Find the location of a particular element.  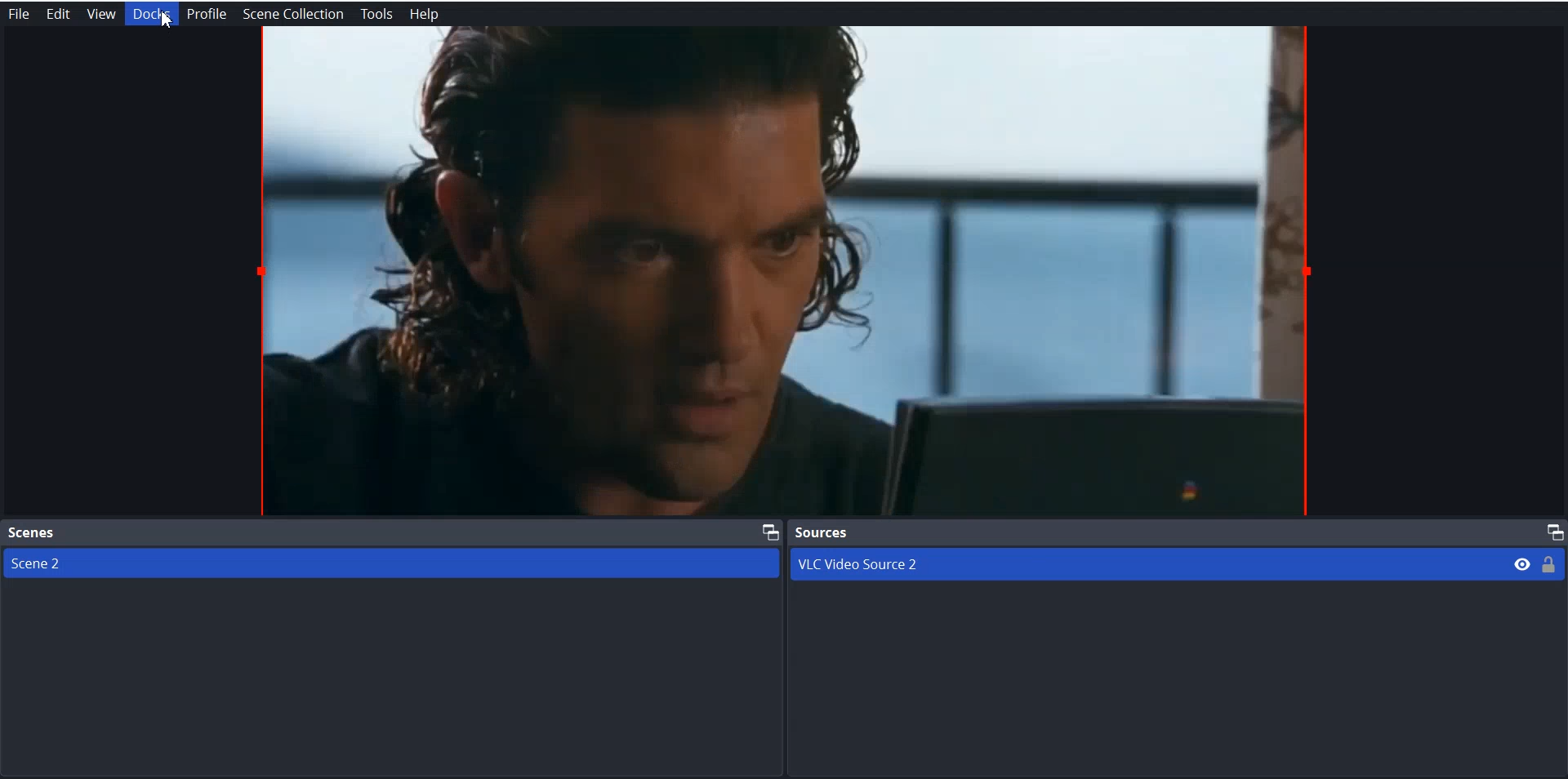

Tools is located at coordinates (376, 15).